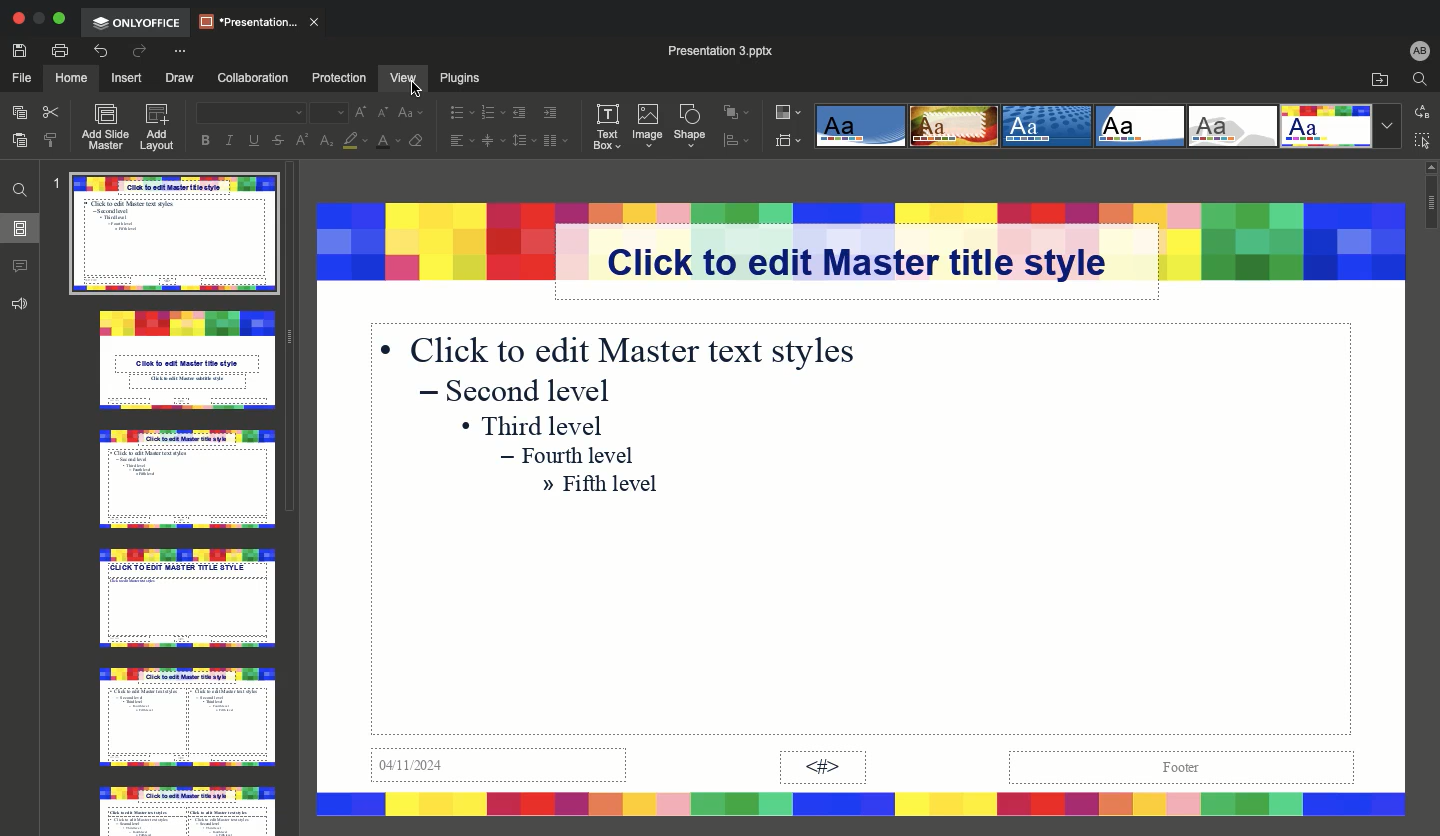 This screenshot has width=1440, height=836. Describe the element at coordinates (550, 111) in the screenshot. I see `Increase indent` at that location.